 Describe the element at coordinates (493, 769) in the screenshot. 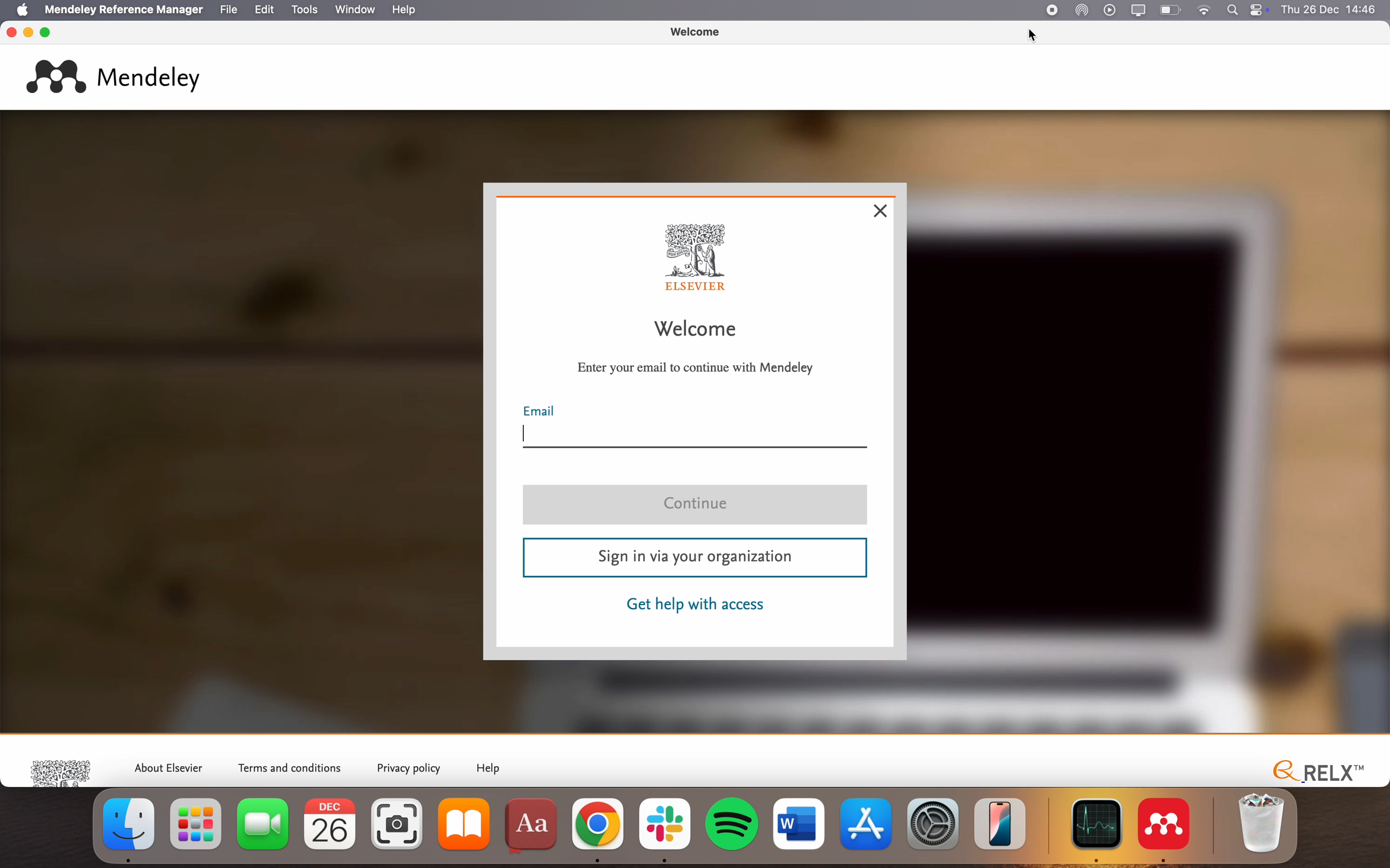

I see `help` at that location.